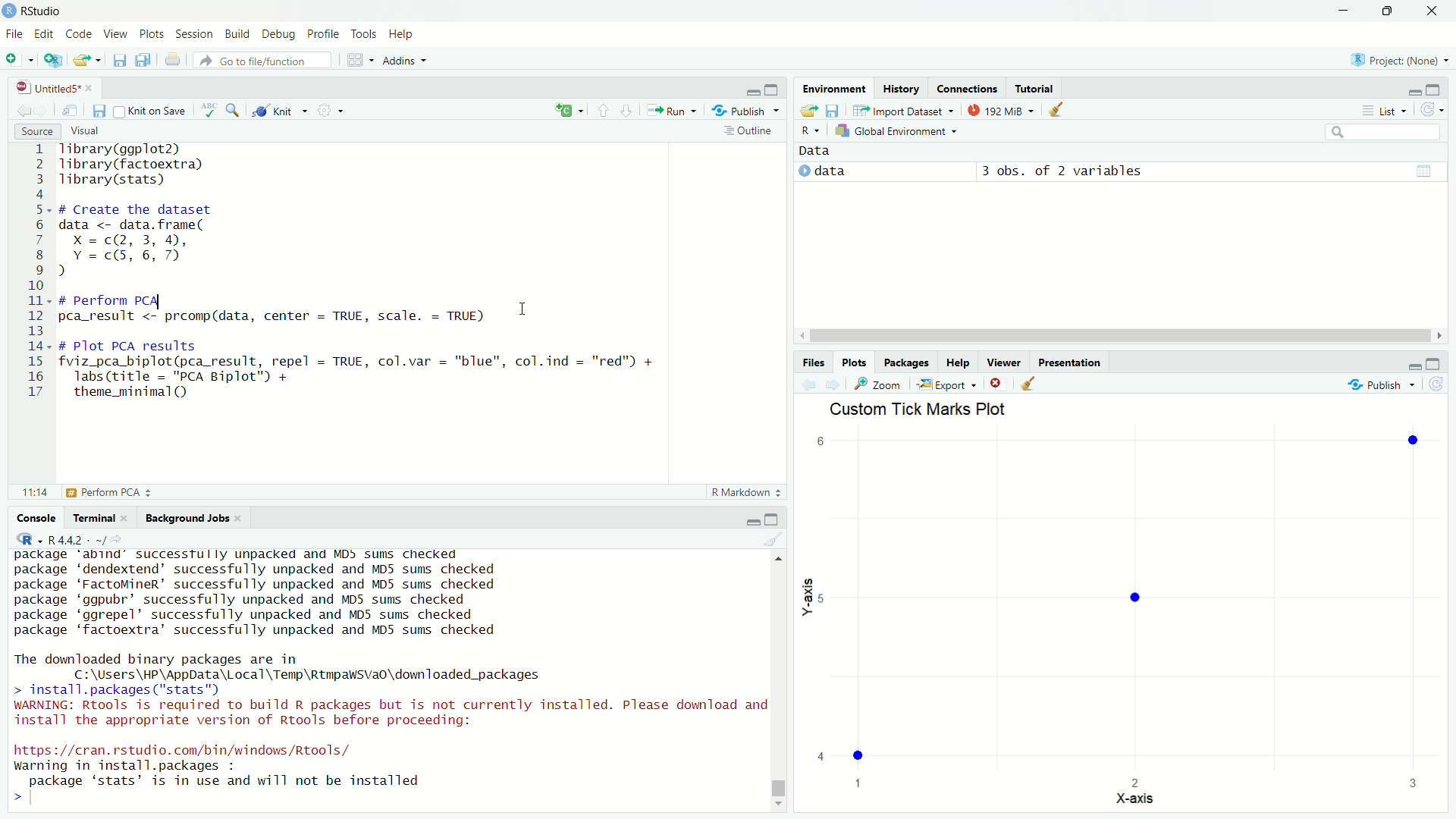 This screenshot has height=819, width=1456. Describe the element at coordinates (902, 110) in the screenshot. I see `import dataset` at that location.